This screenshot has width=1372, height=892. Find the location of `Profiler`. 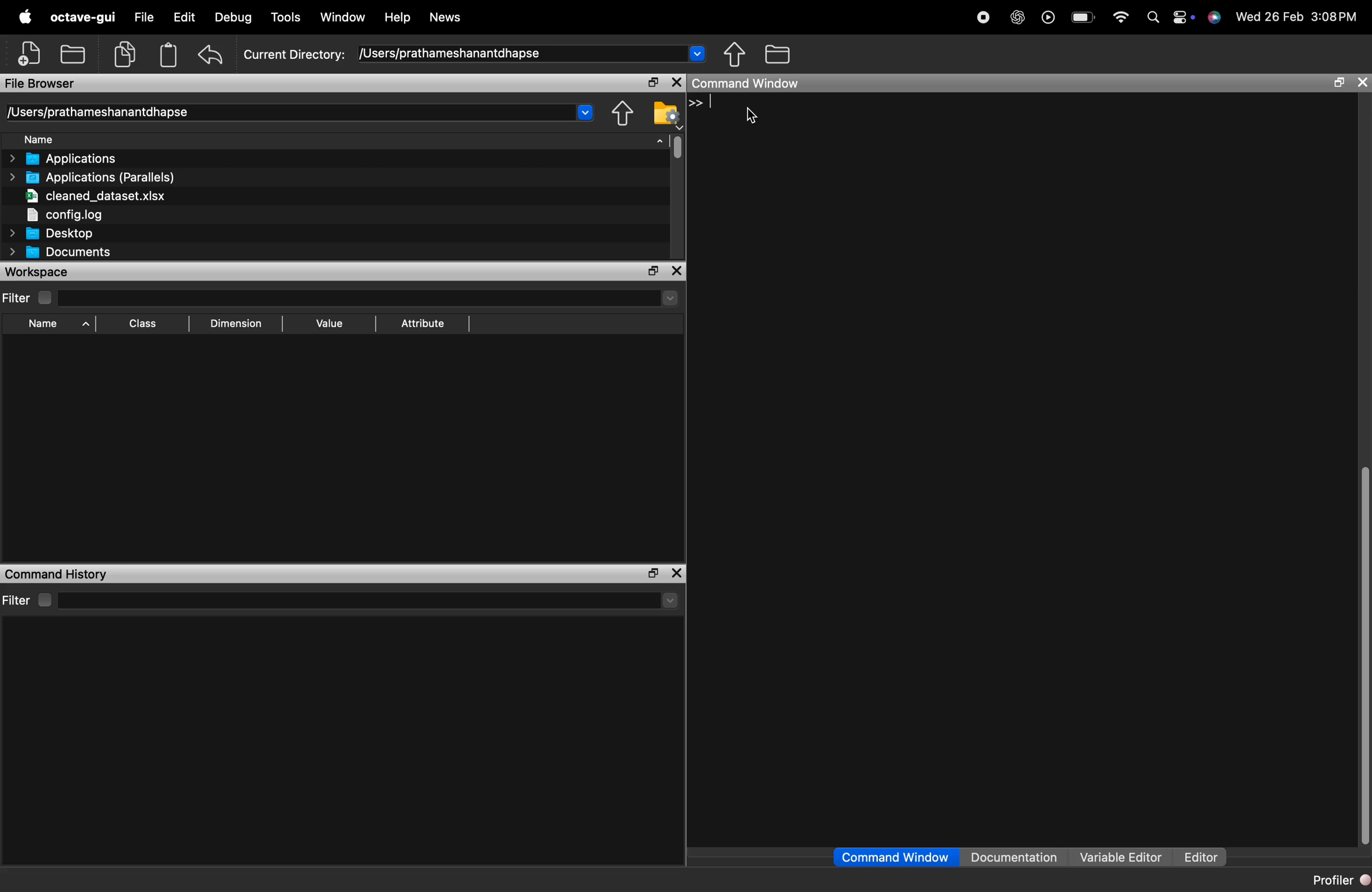

Profiler is located at coordinates (1337, 878).